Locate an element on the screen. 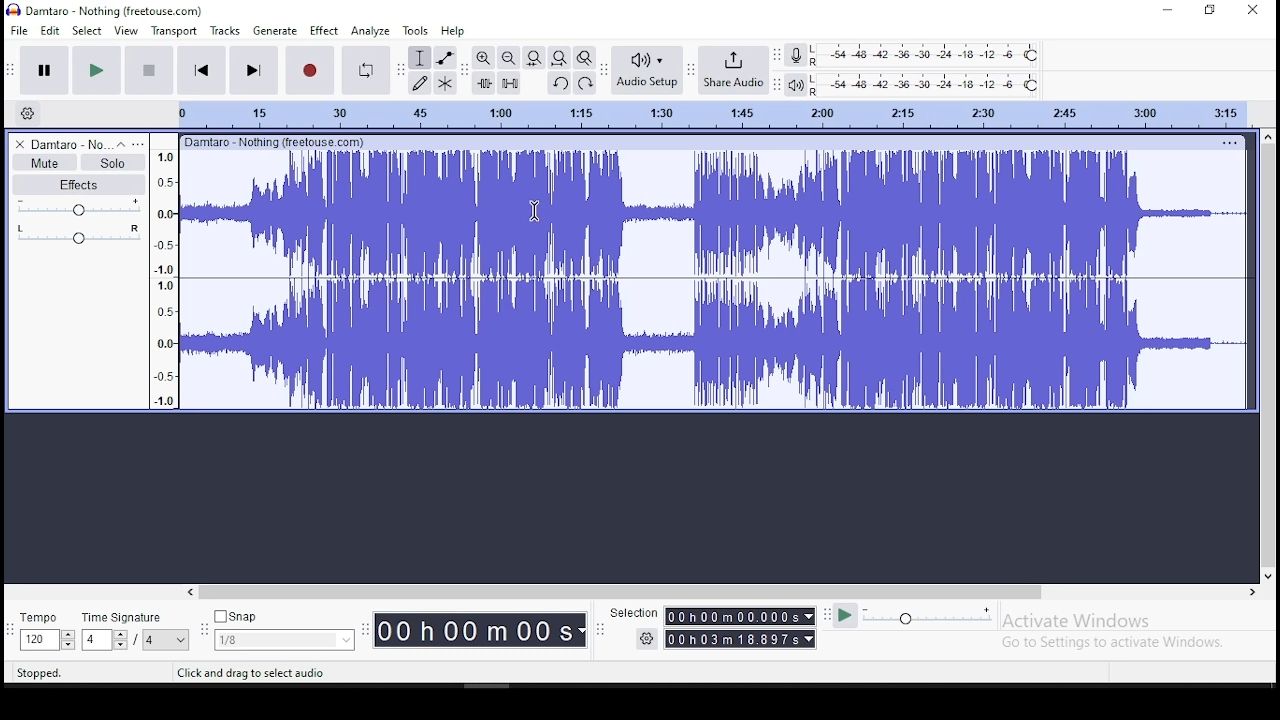 The width and height of the screenshot is (1280, 720). selection tool is located at coordinates (419, 58).